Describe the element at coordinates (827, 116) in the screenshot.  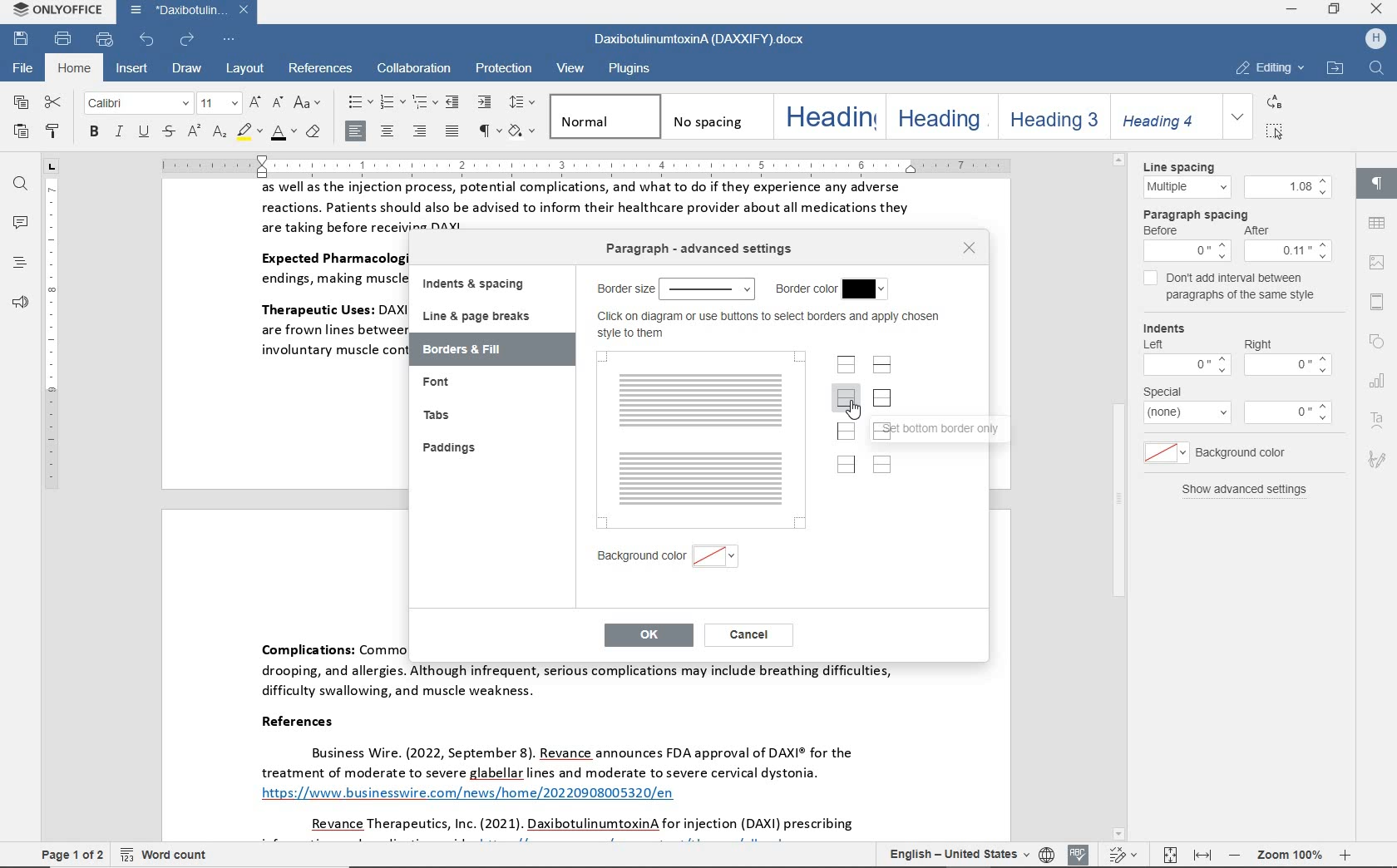
I see `heading 1` at that location.